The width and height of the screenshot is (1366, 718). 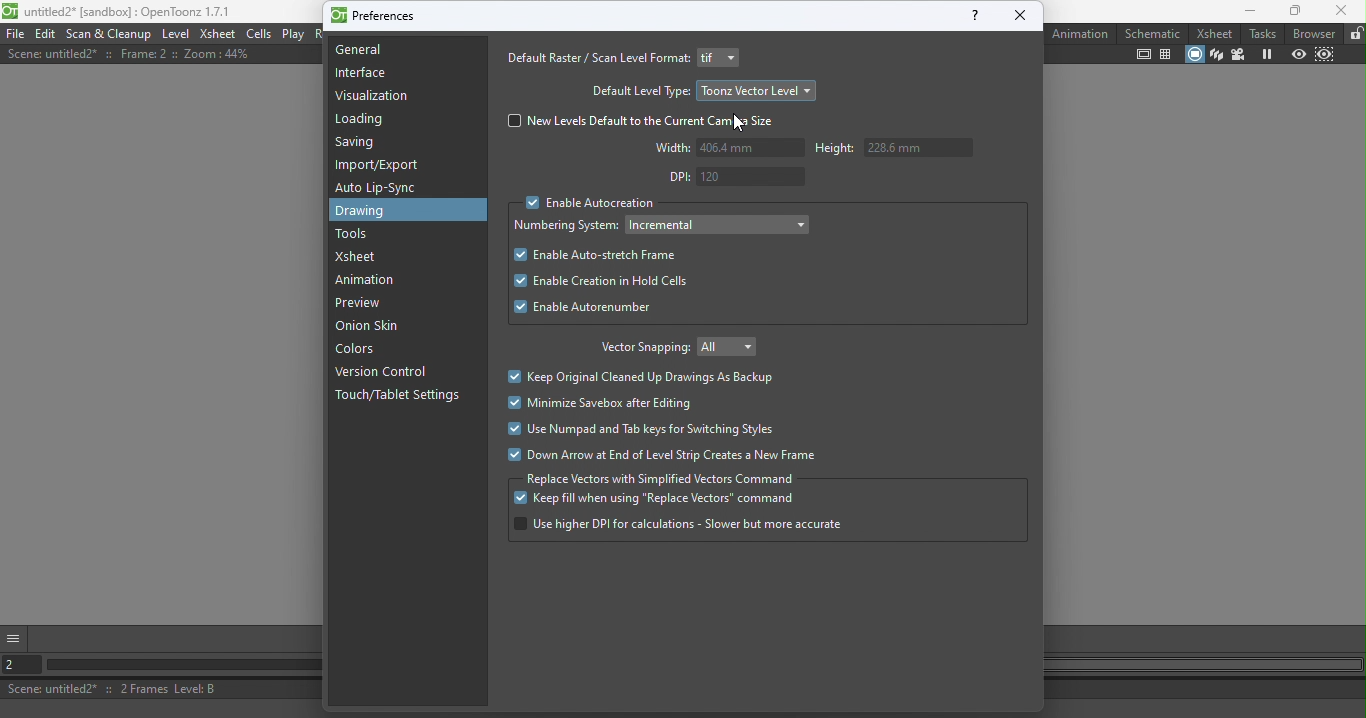 I want to click on Replace vectors with simplified command, so click(x=662, y=479).